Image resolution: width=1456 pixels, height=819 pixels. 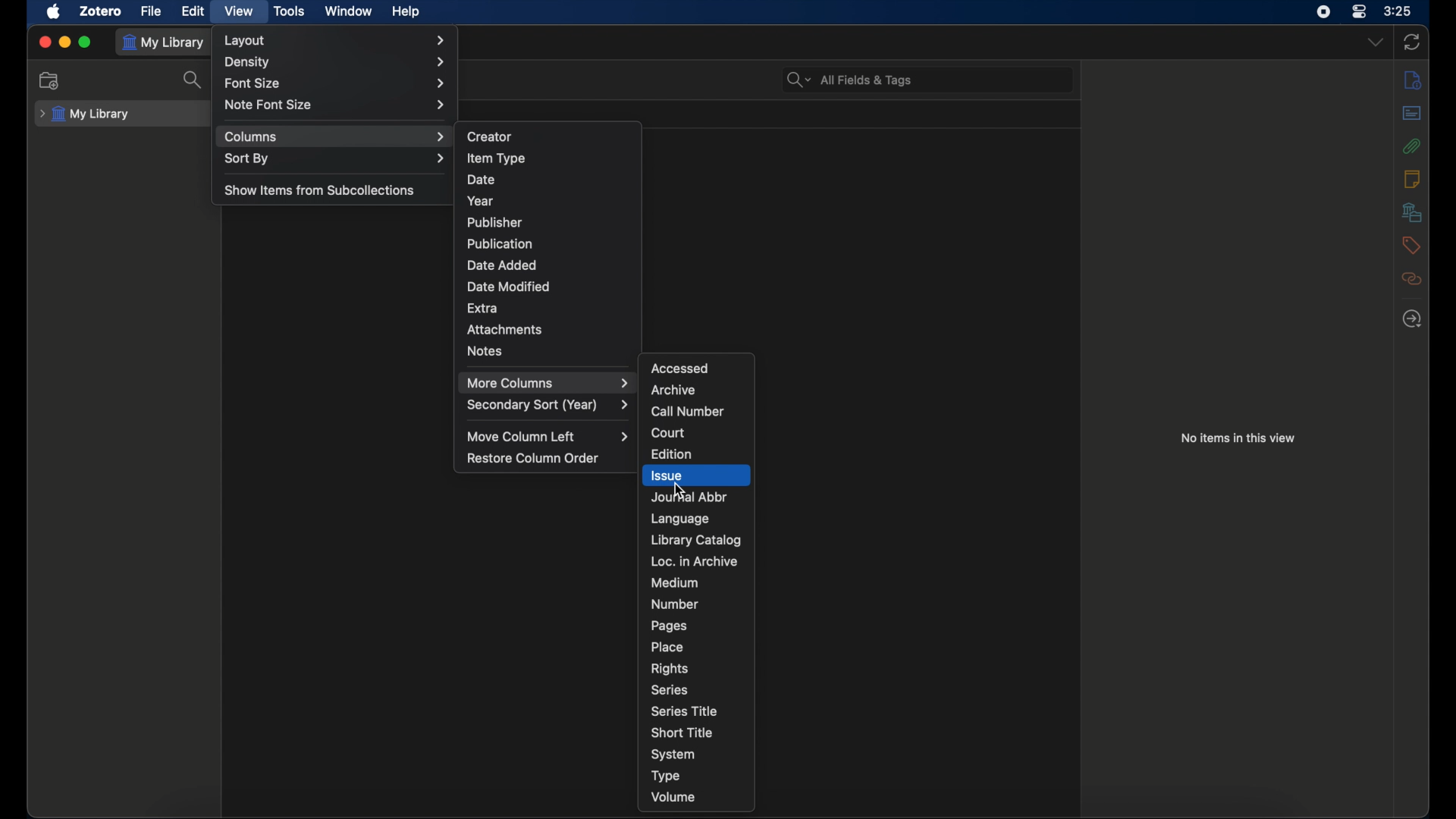 I want to click on restore column order, so click(x=533, y=458).